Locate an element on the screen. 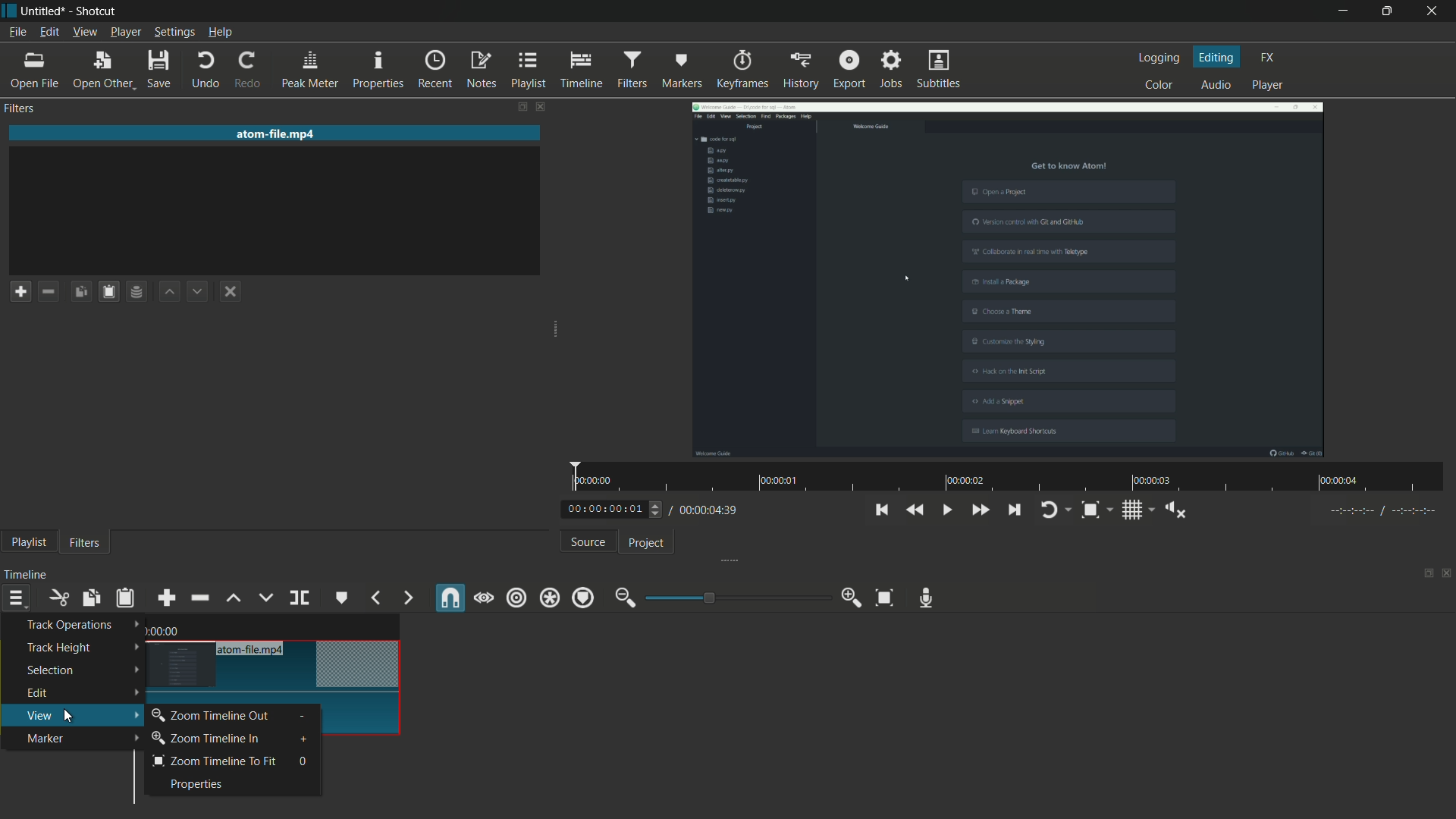  filters is located at coordinates (632, 69).